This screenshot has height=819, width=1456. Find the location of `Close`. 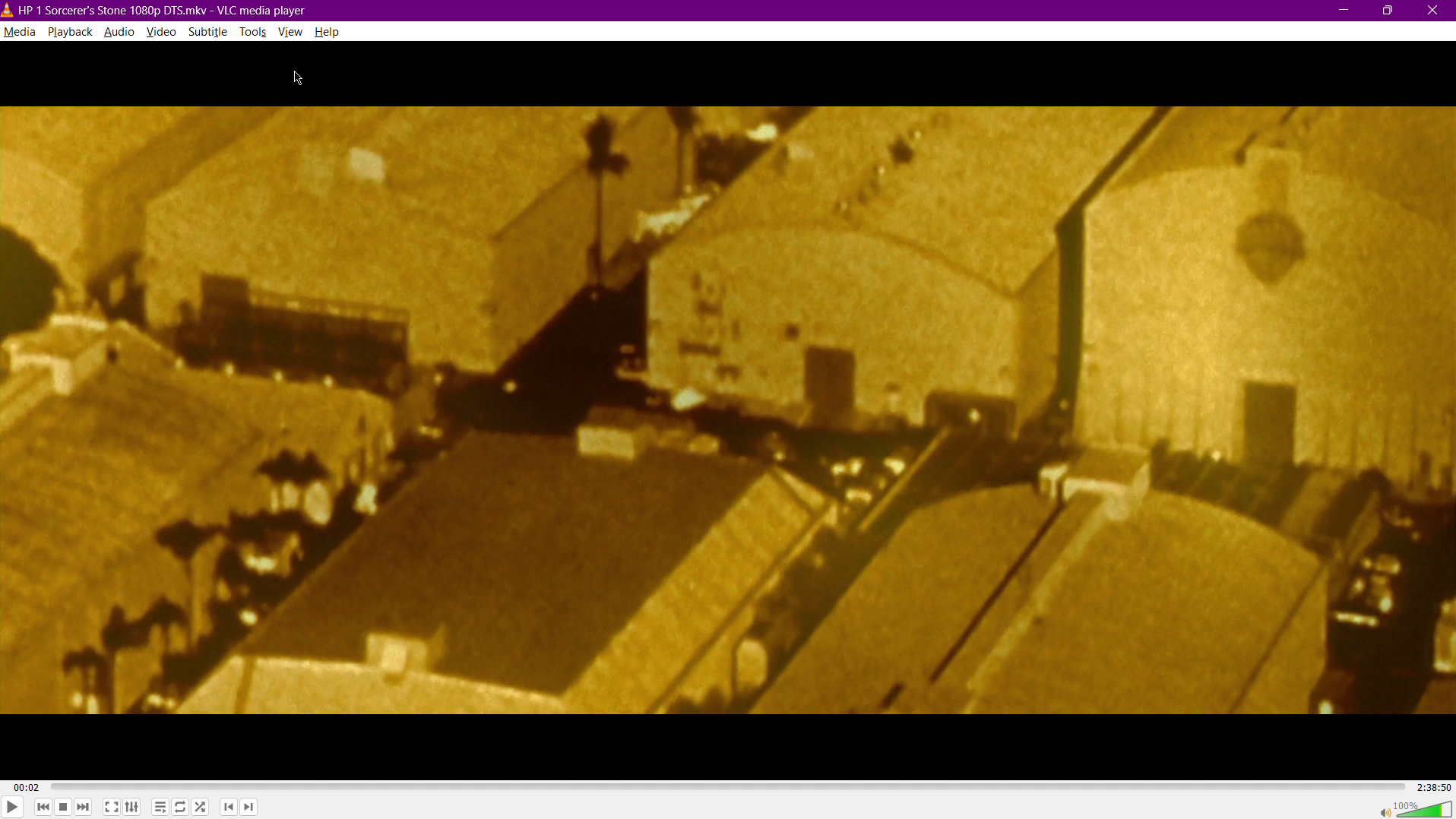

Close is located at coordinates (1436, 10).